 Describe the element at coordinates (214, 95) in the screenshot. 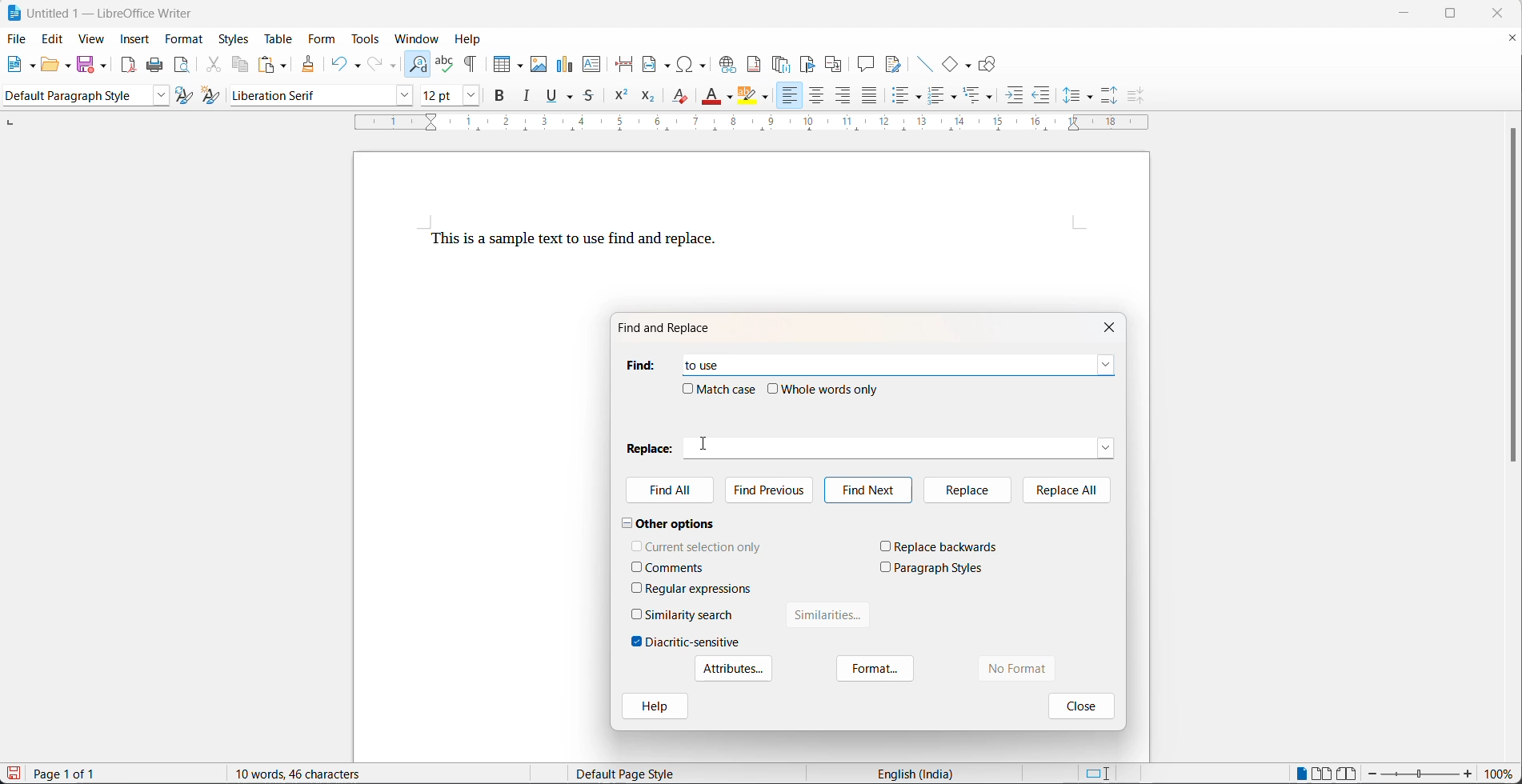

I see `create new style with selection` at that location.